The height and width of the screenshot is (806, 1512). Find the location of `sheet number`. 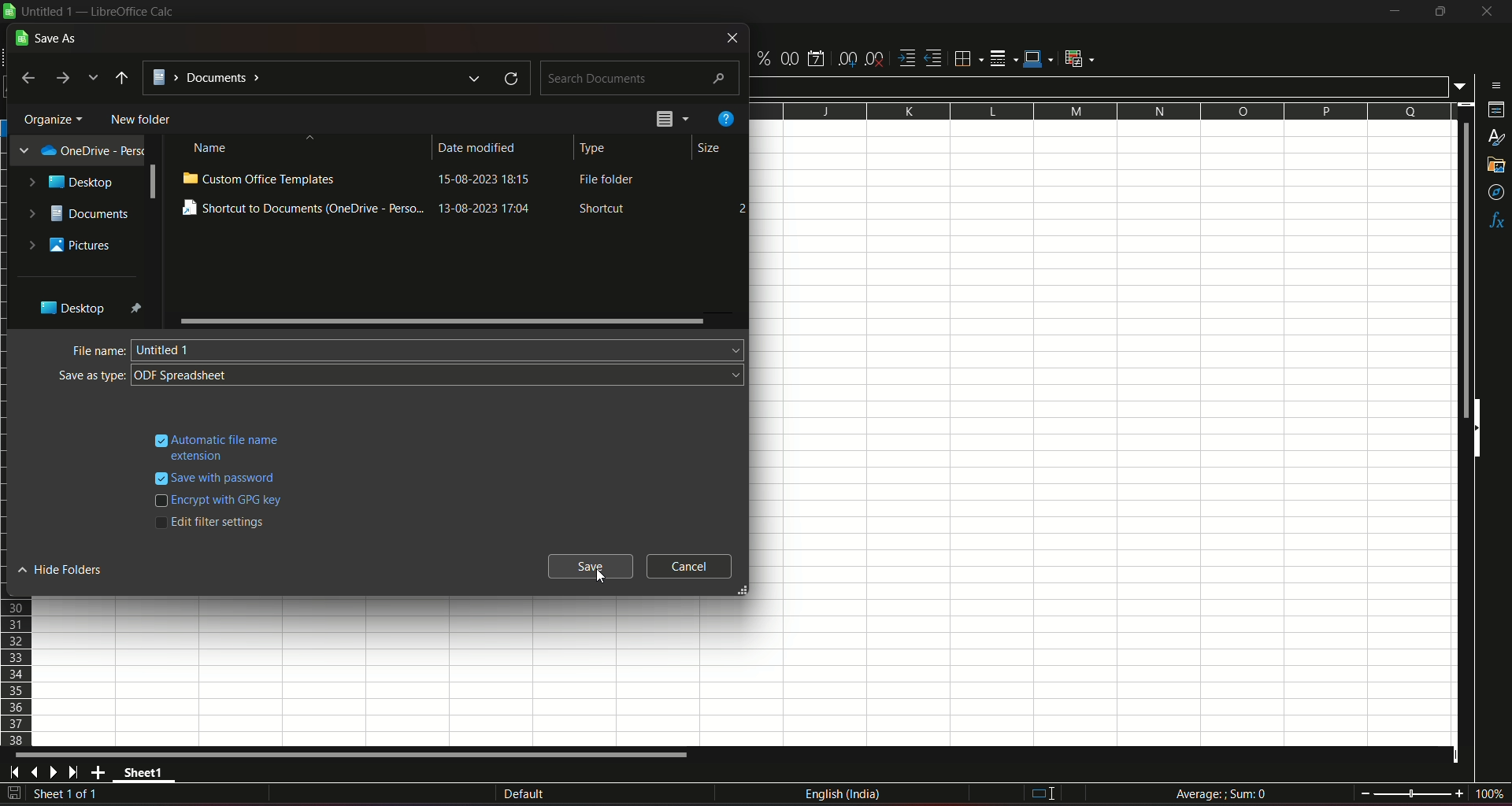

sheet number is located at coordinates (74, 795).